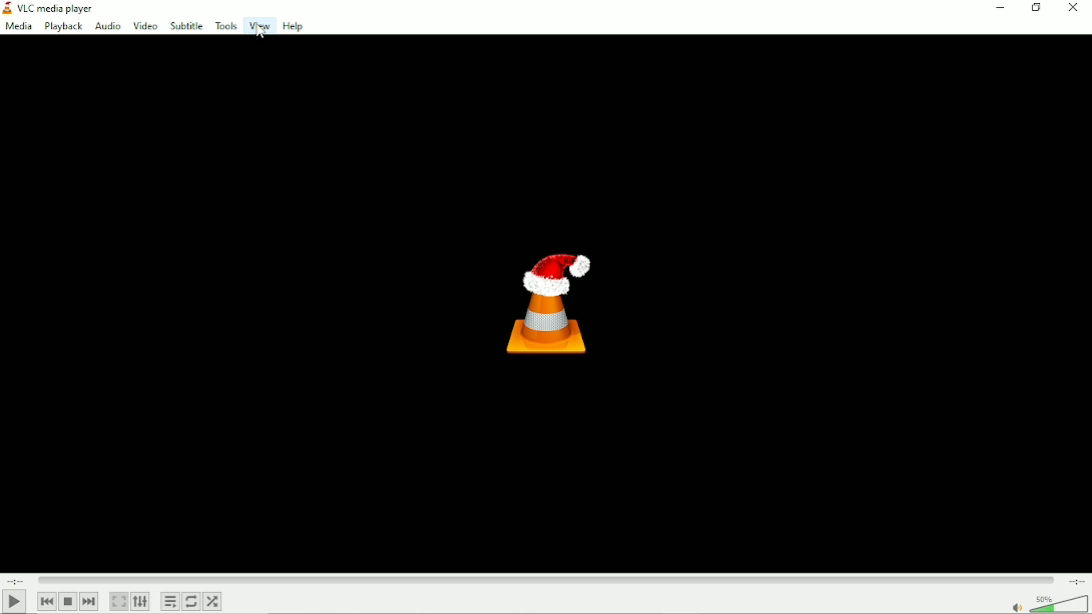 The width and height of the screenshot is (1092, 614). I want to click on Playback, so click(63, 26).